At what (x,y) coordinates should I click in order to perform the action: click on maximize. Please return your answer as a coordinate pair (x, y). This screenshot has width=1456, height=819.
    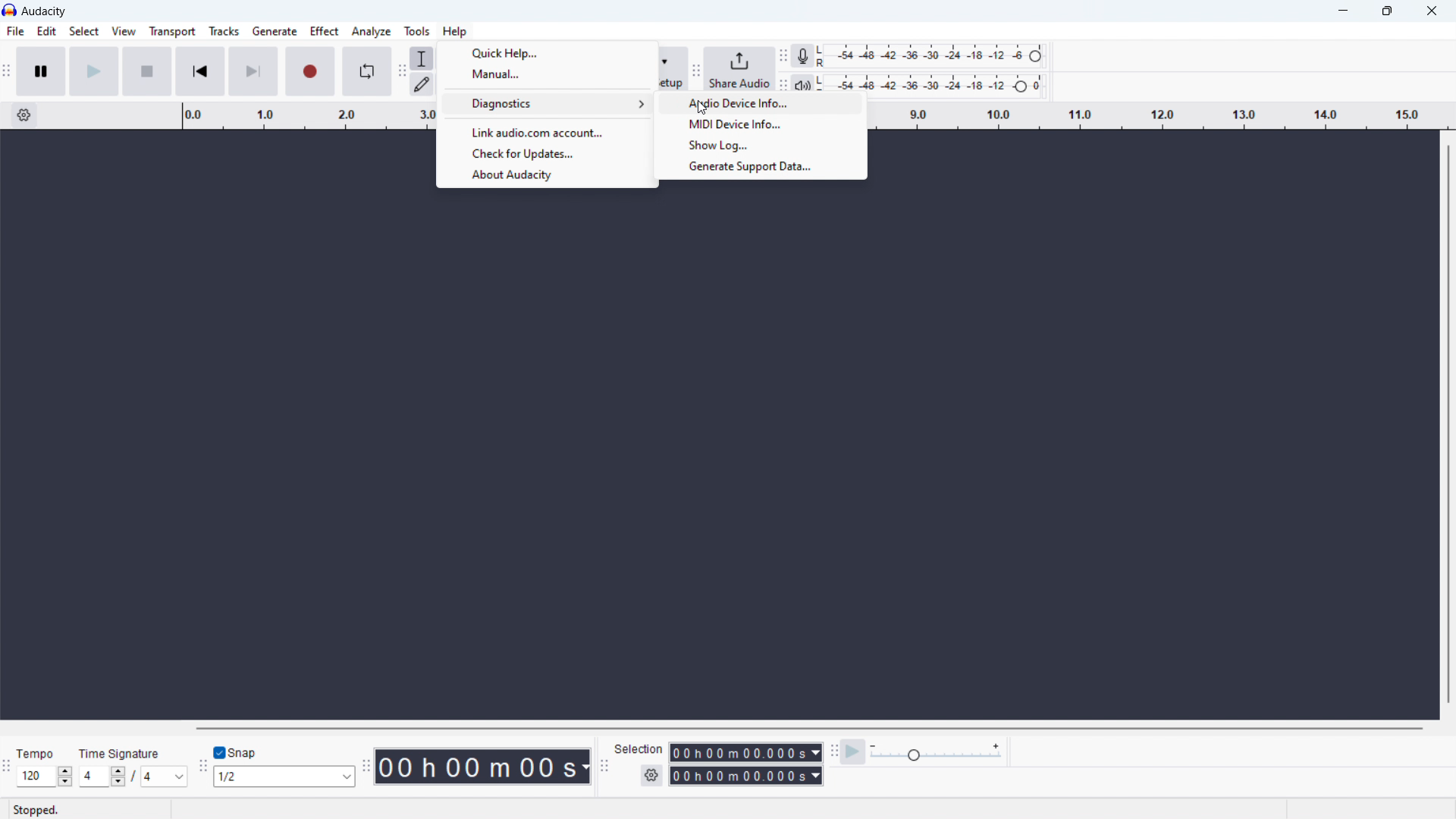
    Looking at the image, I should click on (1385, 11).